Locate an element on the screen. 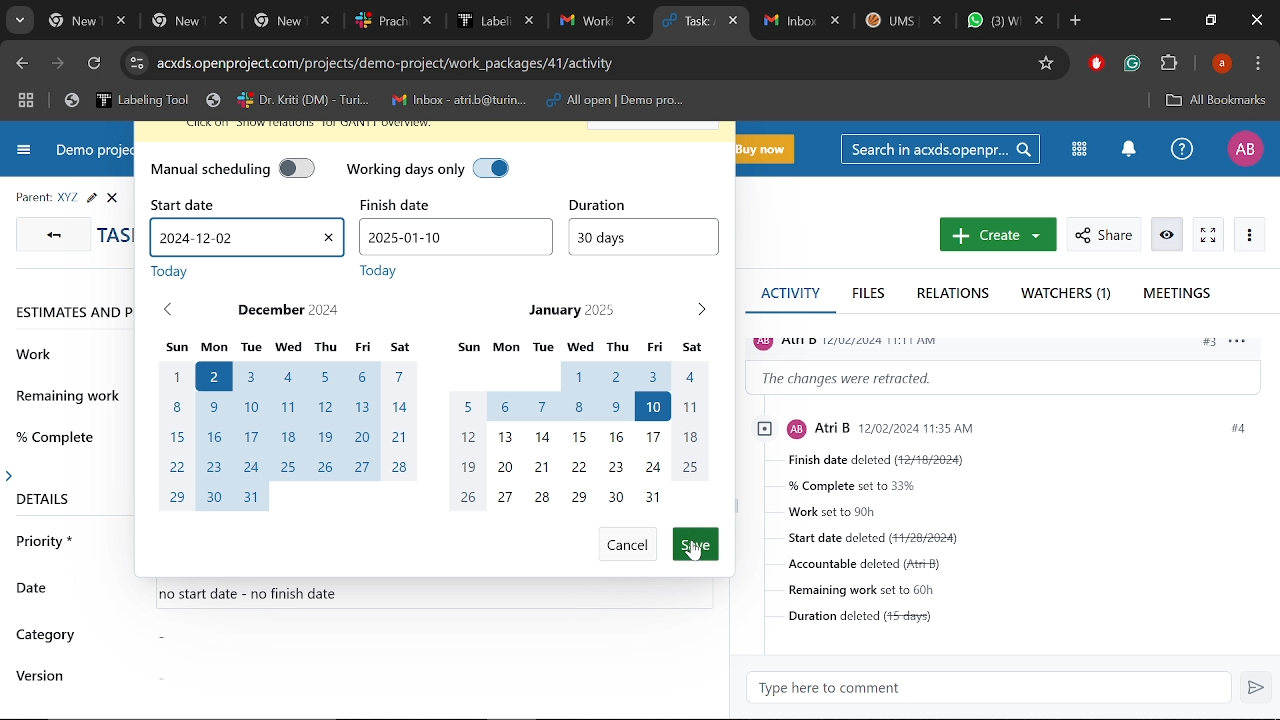 This screenshot has width=1280, height=720. start date is located at coordinates (182, 203).